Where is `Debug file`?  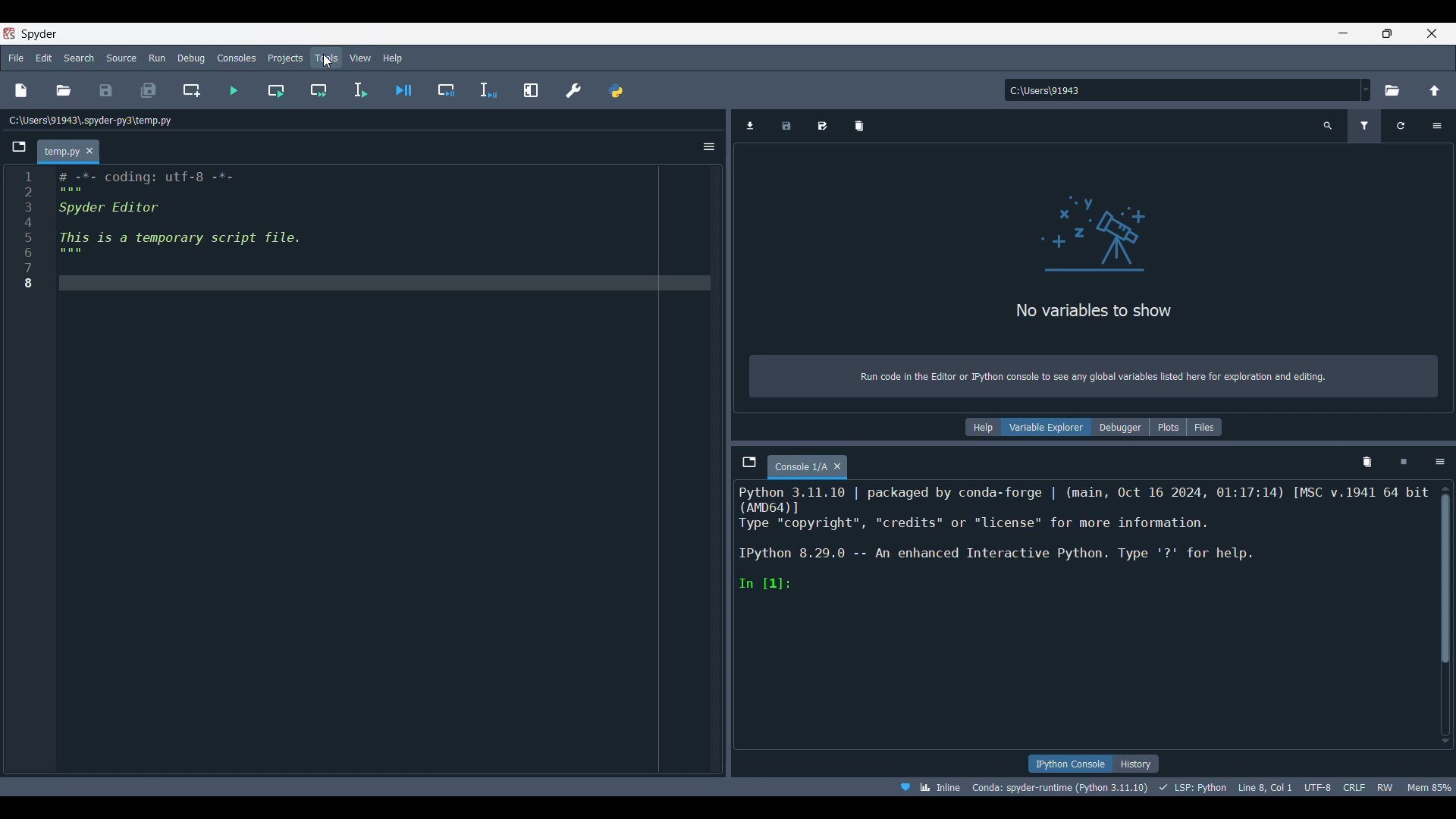
Debug file is located at coordinates (403, 90).